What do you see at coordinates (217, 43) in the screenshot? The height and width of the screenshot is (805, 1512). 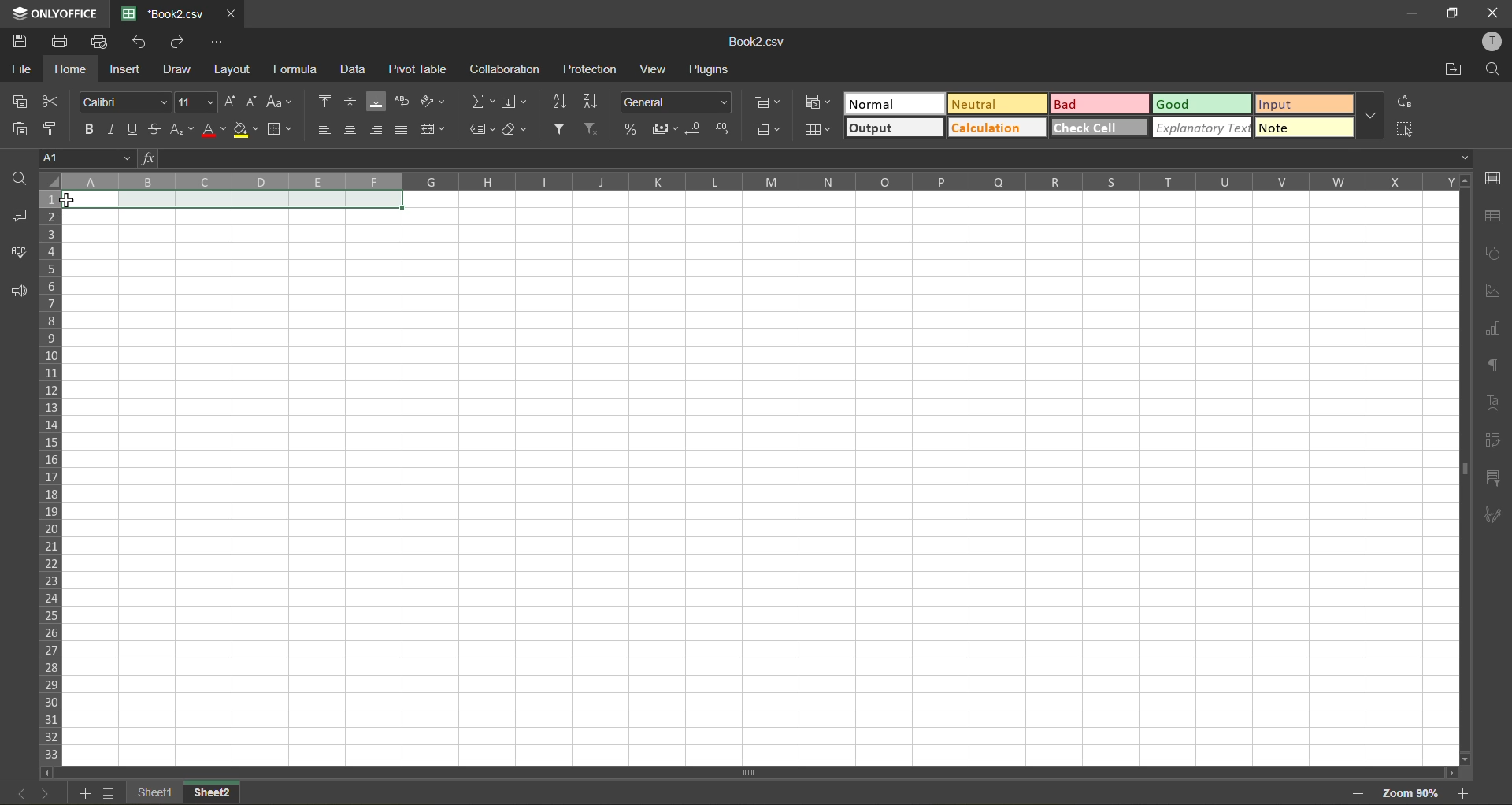 I see `options` at bounding box center [217, 43].